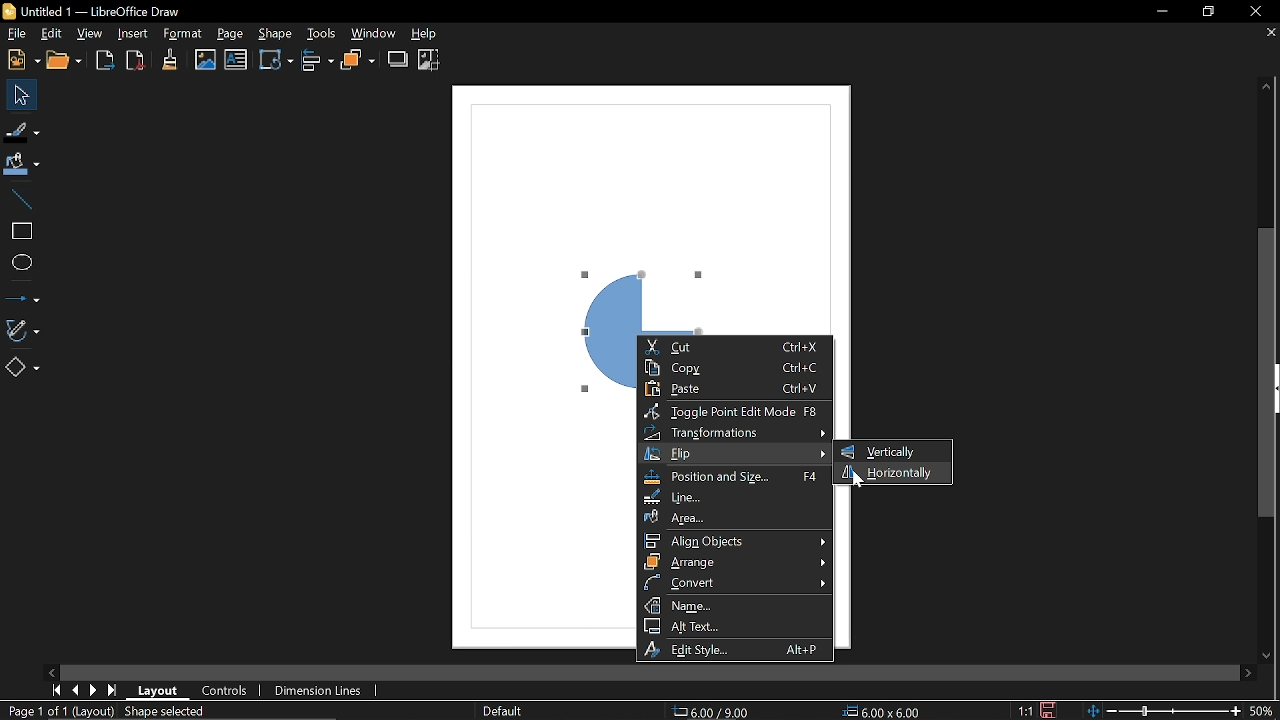 This screenshot has height=720, width=1280. Describe the element at coordinates (18, 93) in the screenshot. I see `Select` at that location.